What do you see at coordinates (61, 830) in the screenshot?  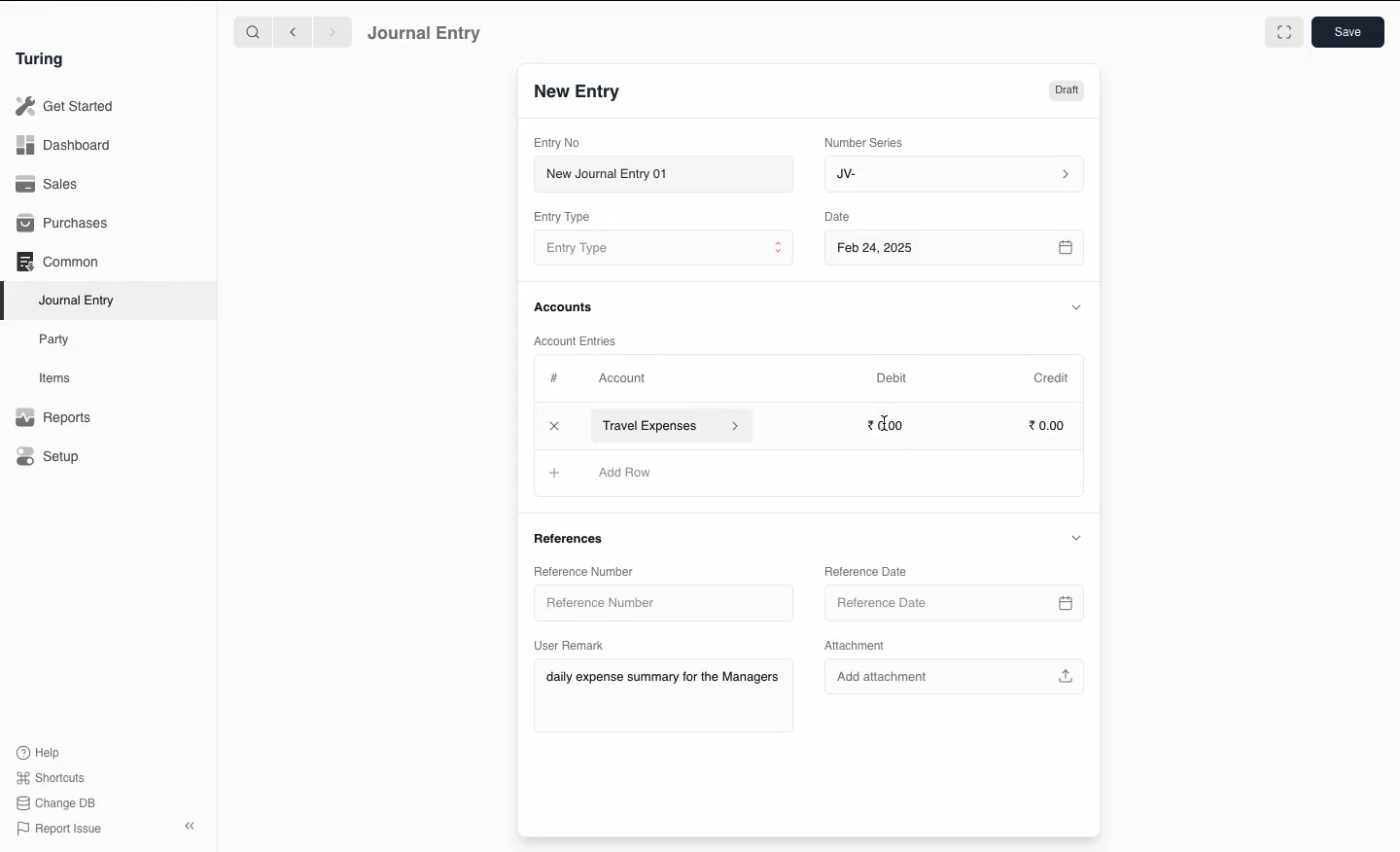 I see `Report Issue` at bounding box center [61, 830].